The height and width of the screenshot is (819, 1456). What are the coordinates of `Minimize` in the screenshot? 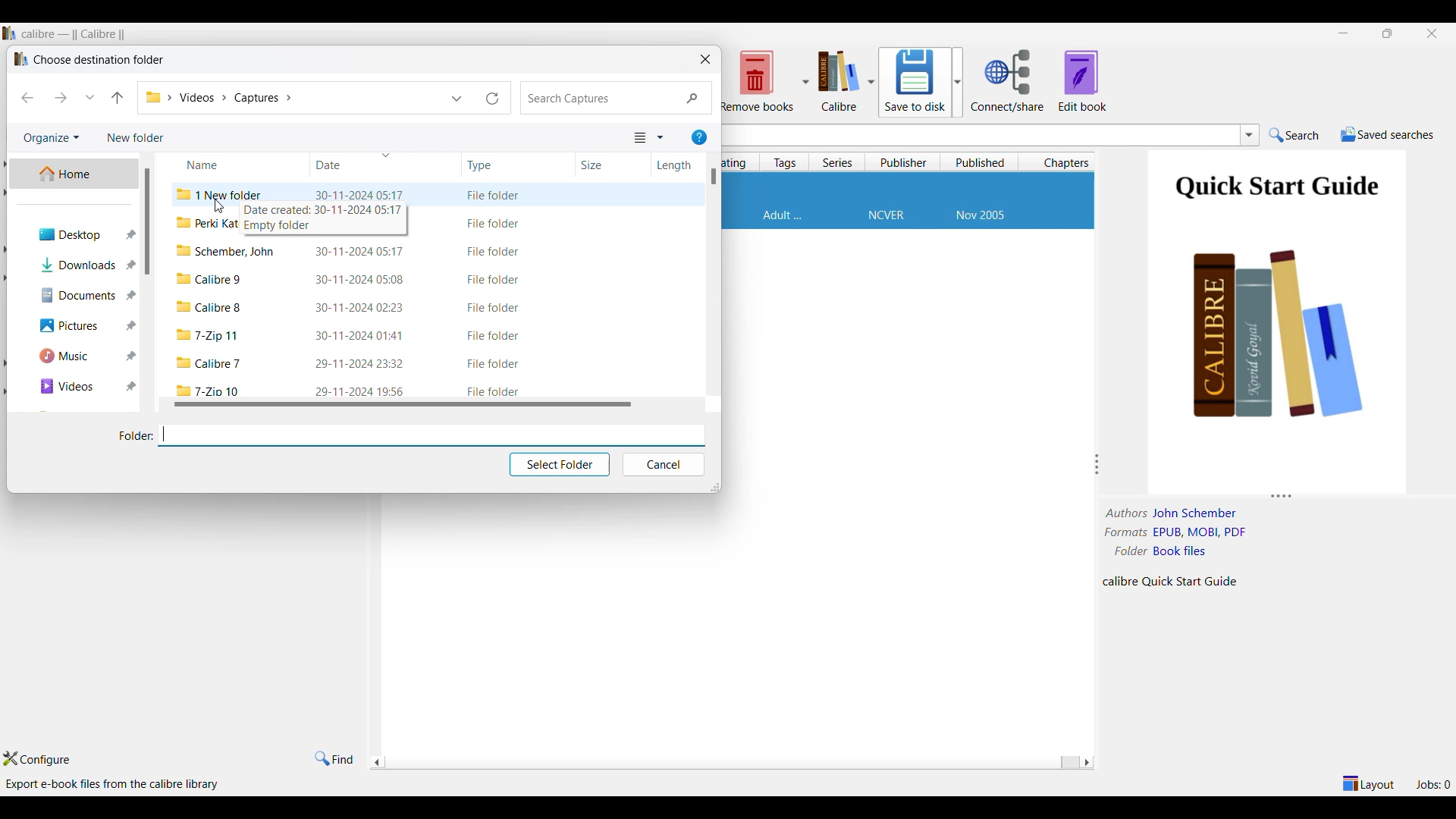 It's located at (1343, 33).